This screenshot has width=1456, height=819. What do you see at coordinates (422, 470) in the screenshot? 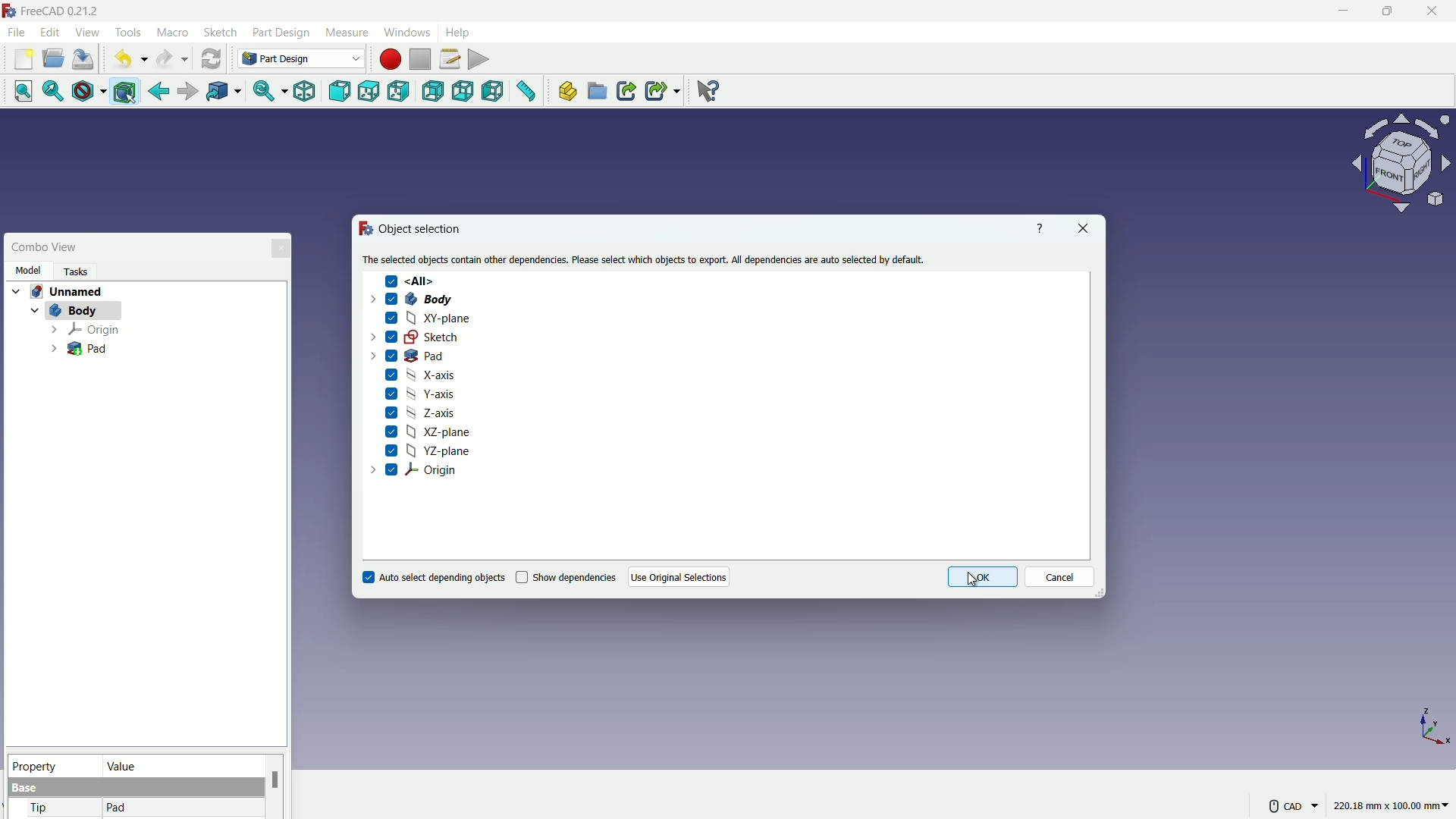
I see `Origin` at bounding box center [422, 470].